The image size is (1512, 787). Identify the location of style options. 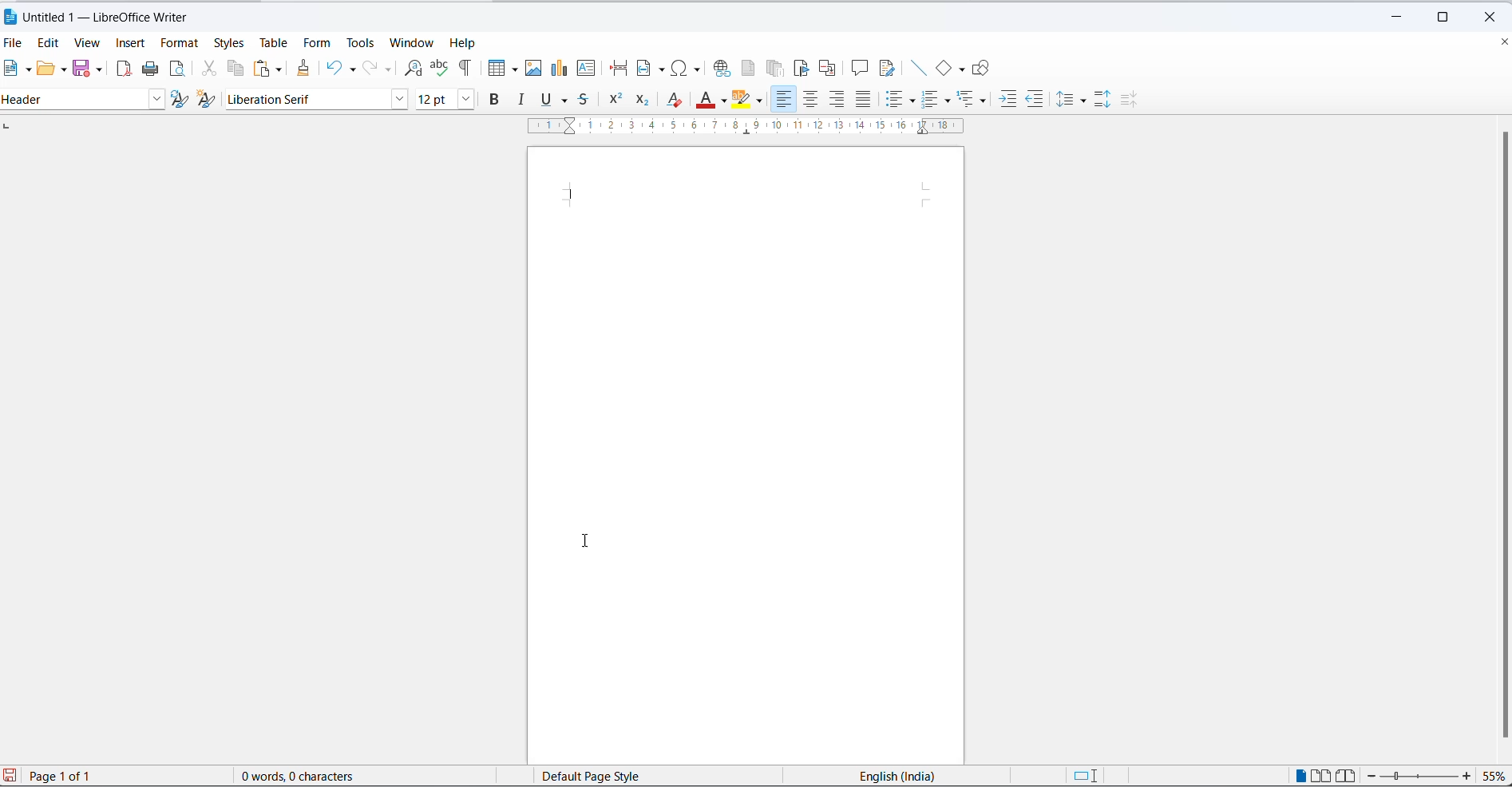
(160, 100).